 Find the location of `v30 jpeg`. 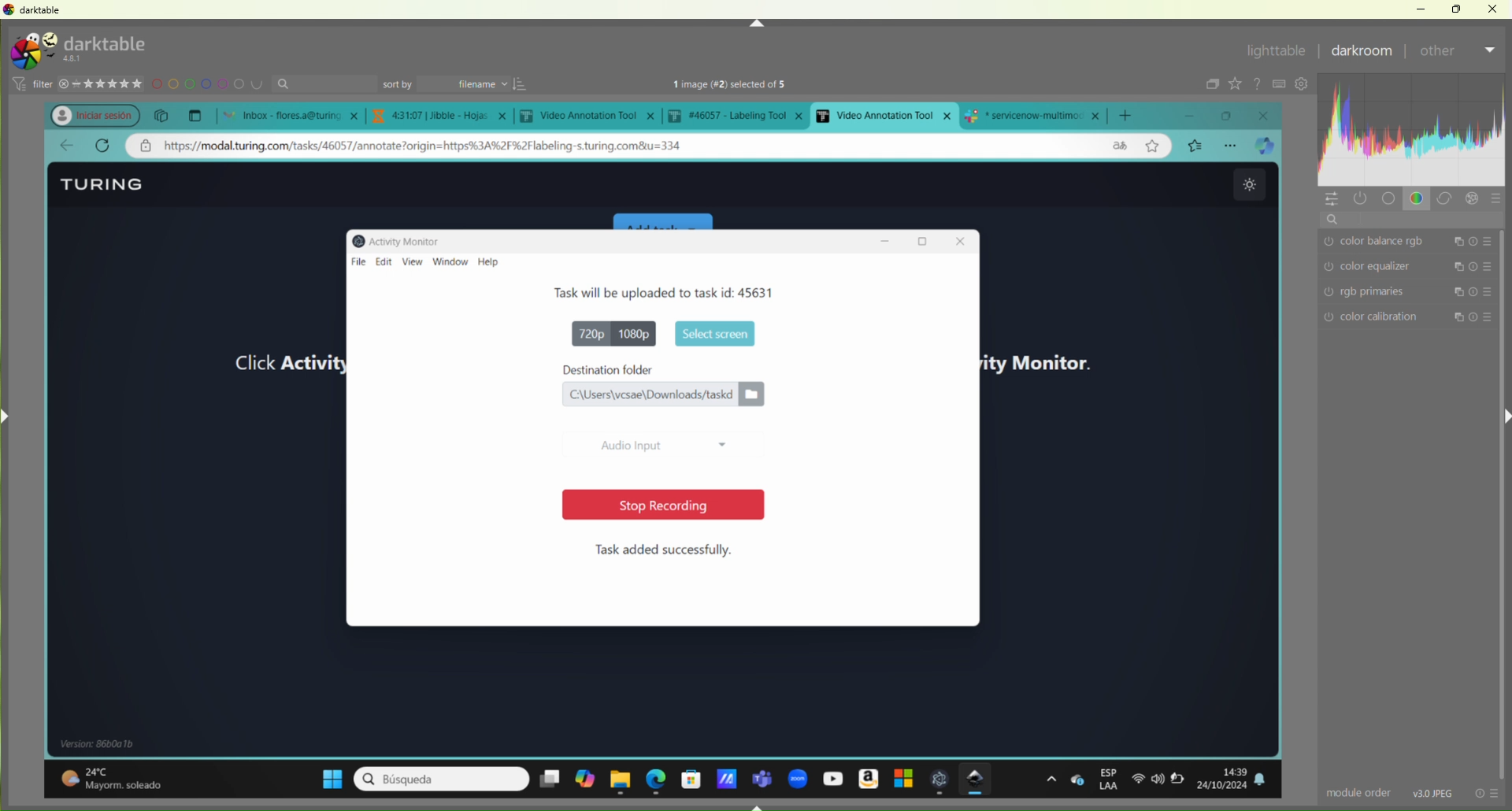

v30 jpeg is located at coordinates (1429, 792).